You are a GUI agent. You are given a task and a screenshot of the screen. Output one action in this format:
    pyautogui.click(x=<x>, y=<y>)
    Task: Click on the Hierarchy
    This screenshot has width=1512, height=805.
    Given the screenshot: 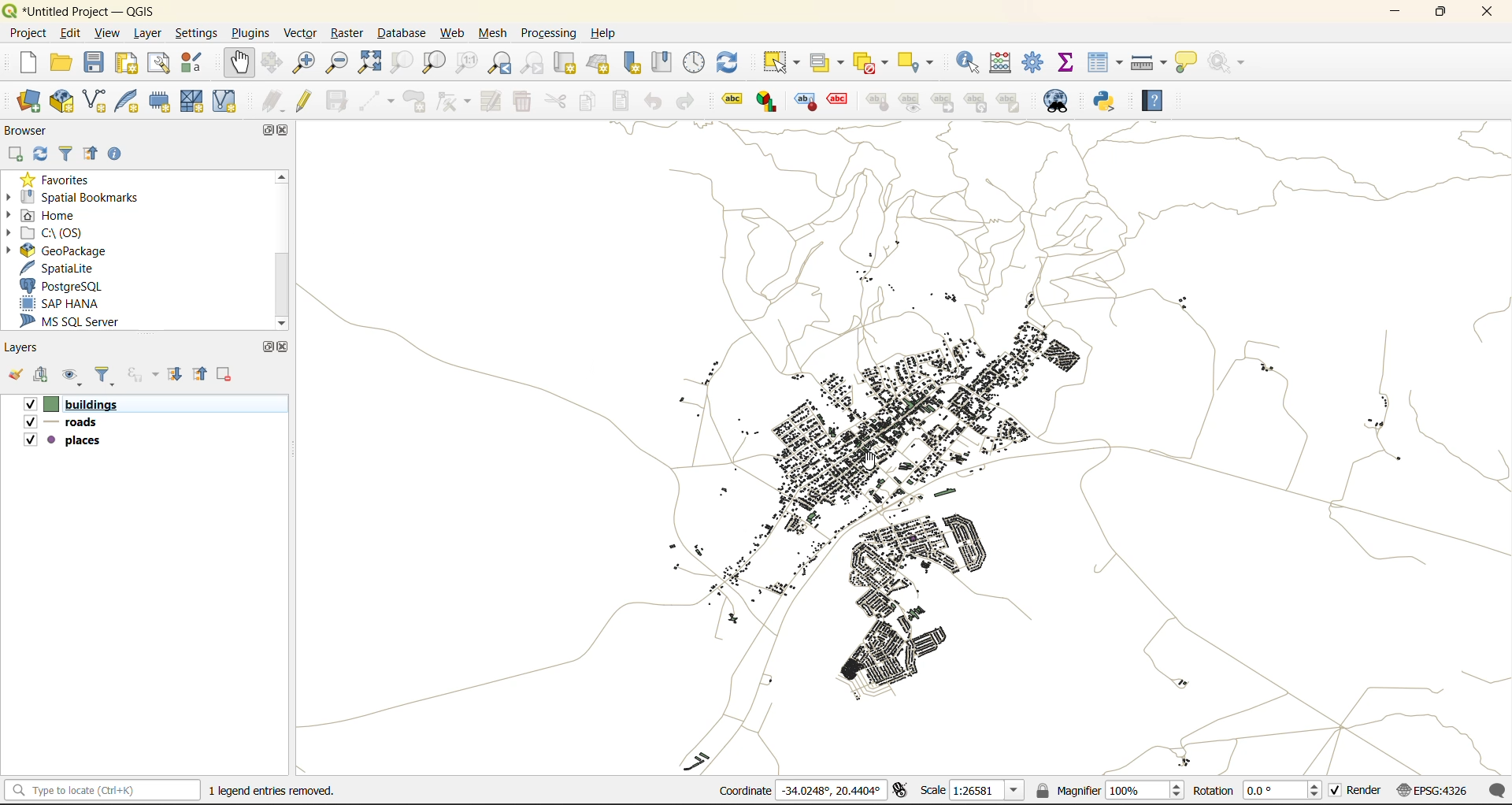 What is the action you would take?
    pyautogui.click(x=979, y=102)
    